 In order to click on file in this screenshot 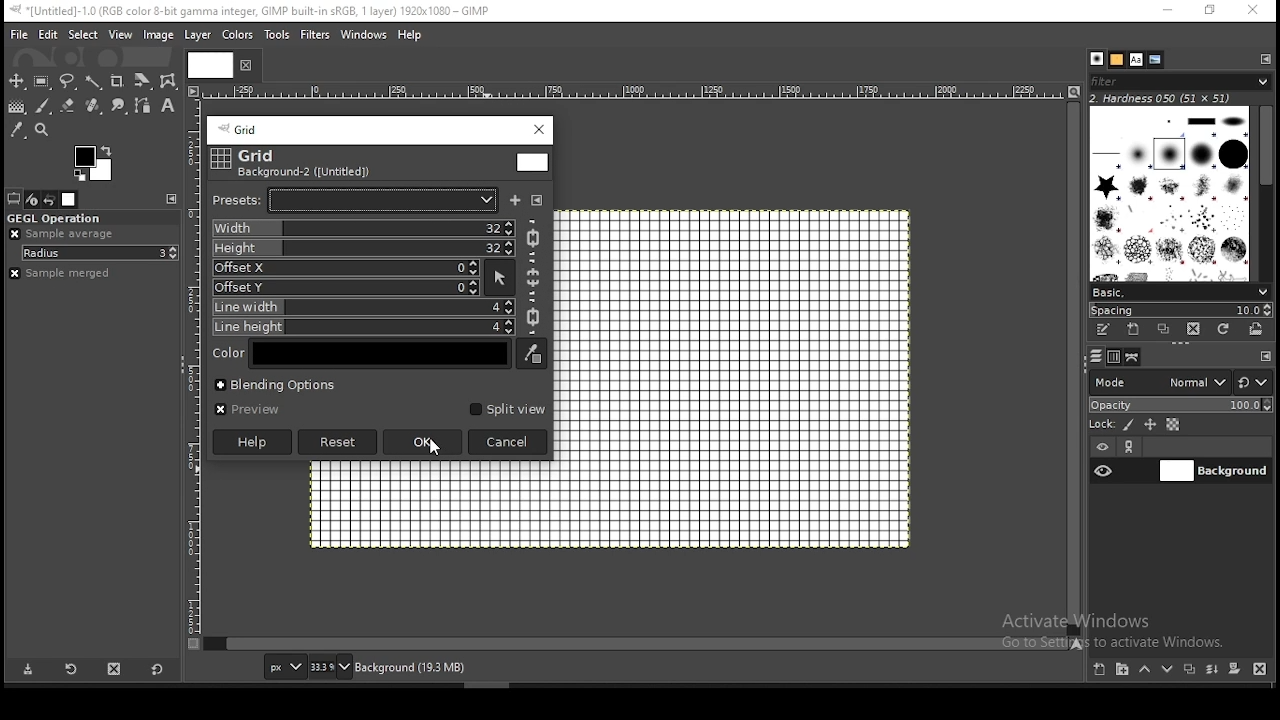, I will do `click(19, 34)`.